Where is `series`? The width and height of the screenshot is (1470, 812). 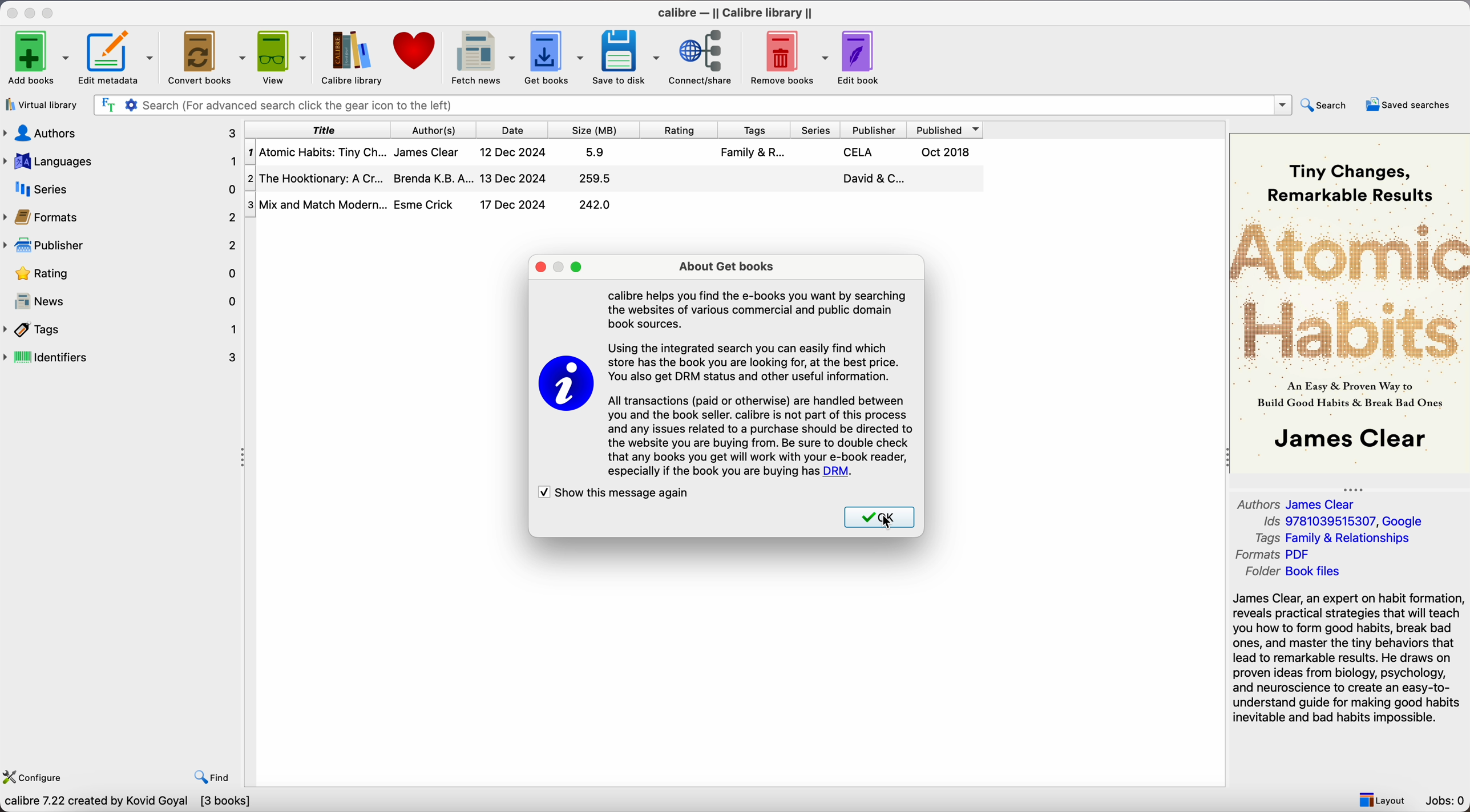 series is located at coordinates (815, 130).